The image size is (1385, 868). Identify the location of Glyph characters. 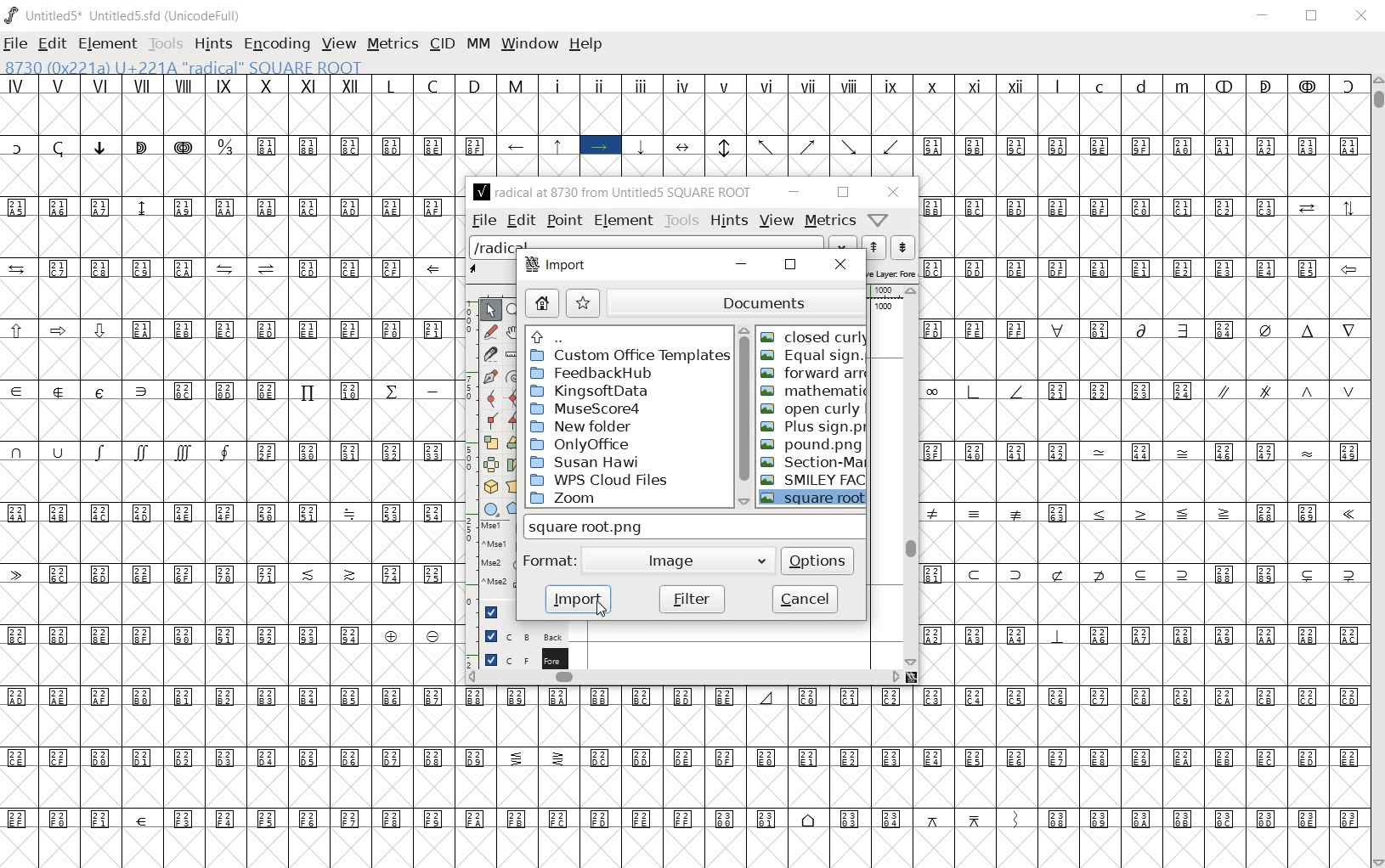
(913, 125).